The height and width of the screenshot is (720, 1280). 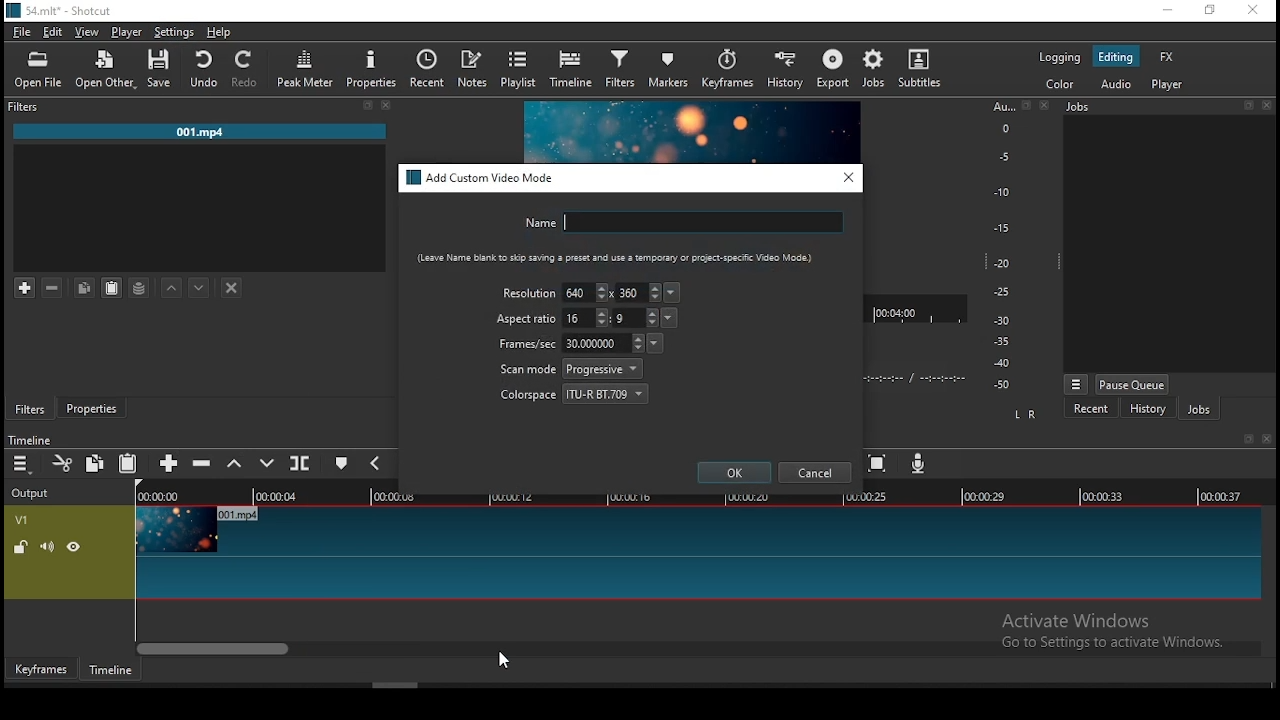 I want to click on mouse pointer, so click(x=500, y=660).